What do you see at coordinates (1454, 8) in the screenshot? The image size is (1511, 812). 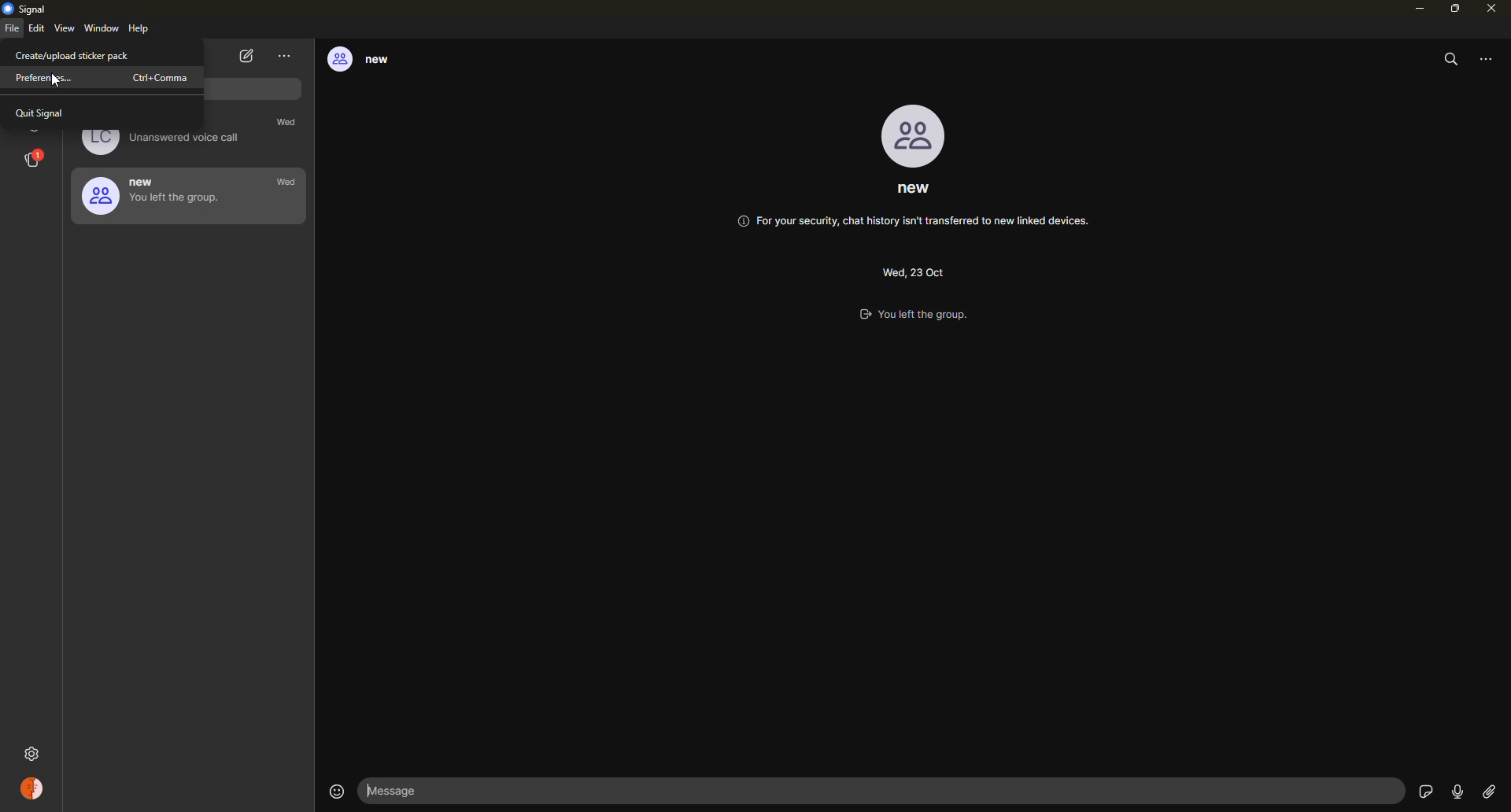 I see `maximize` at bounding box center [1454, 8].